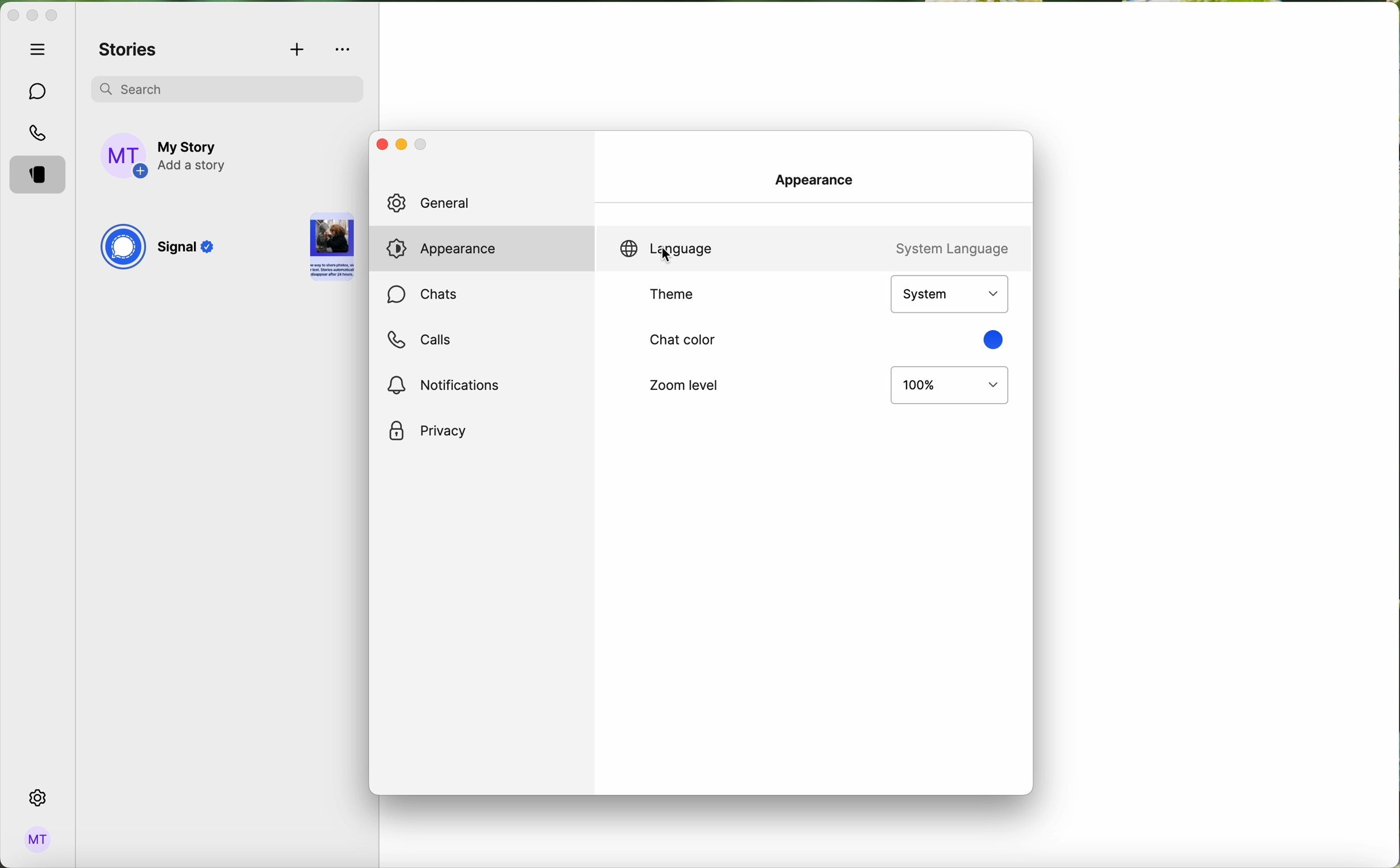 Image resolution: width=1400 pixels, height=868 pixels. I want to click on search bar, so click(227, 87).